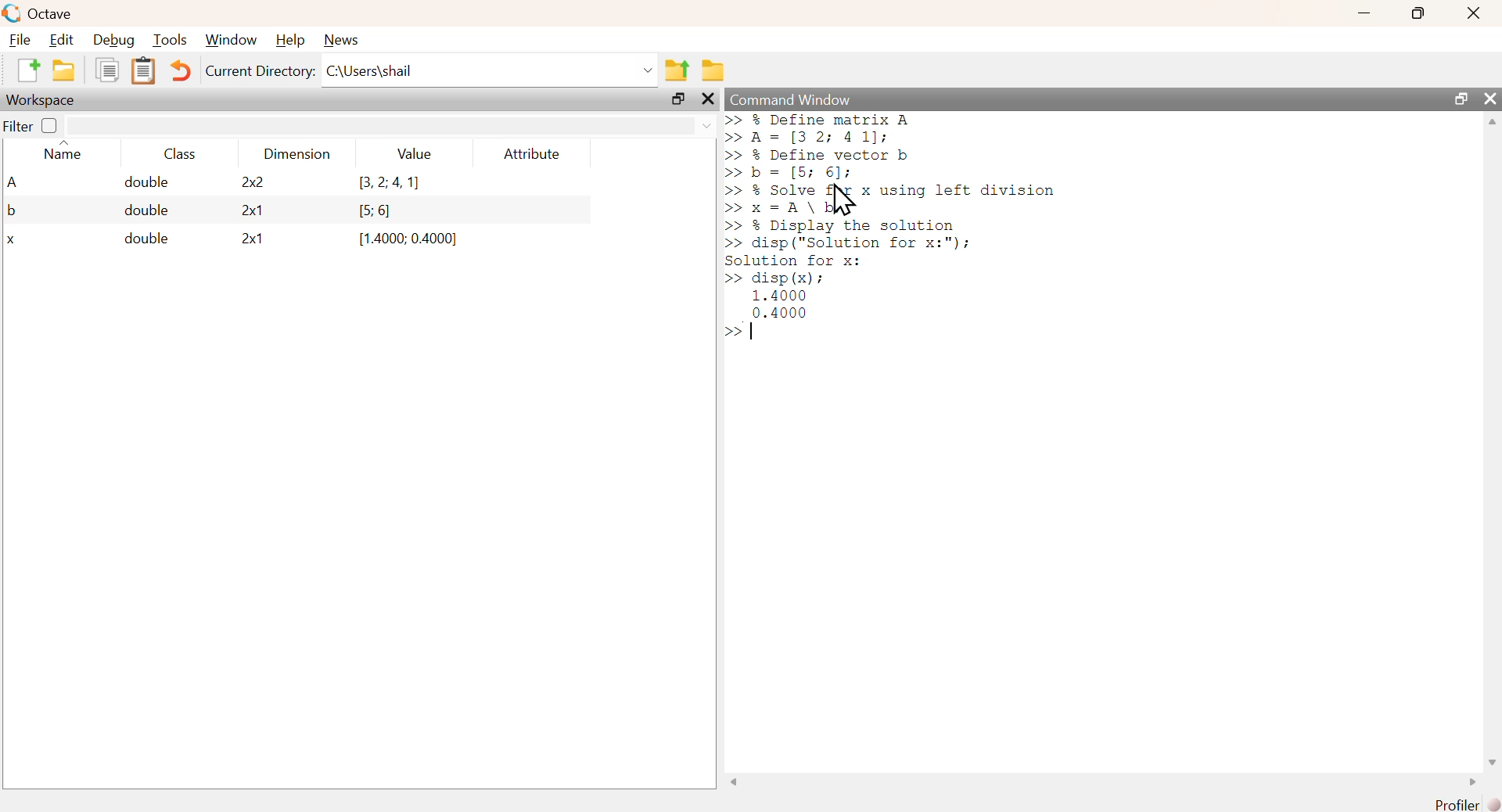 The width and height of the screenshot is (1502, 812). Describe the element at coordinates (15, 241) in the screenshot. I see `x` at that location.